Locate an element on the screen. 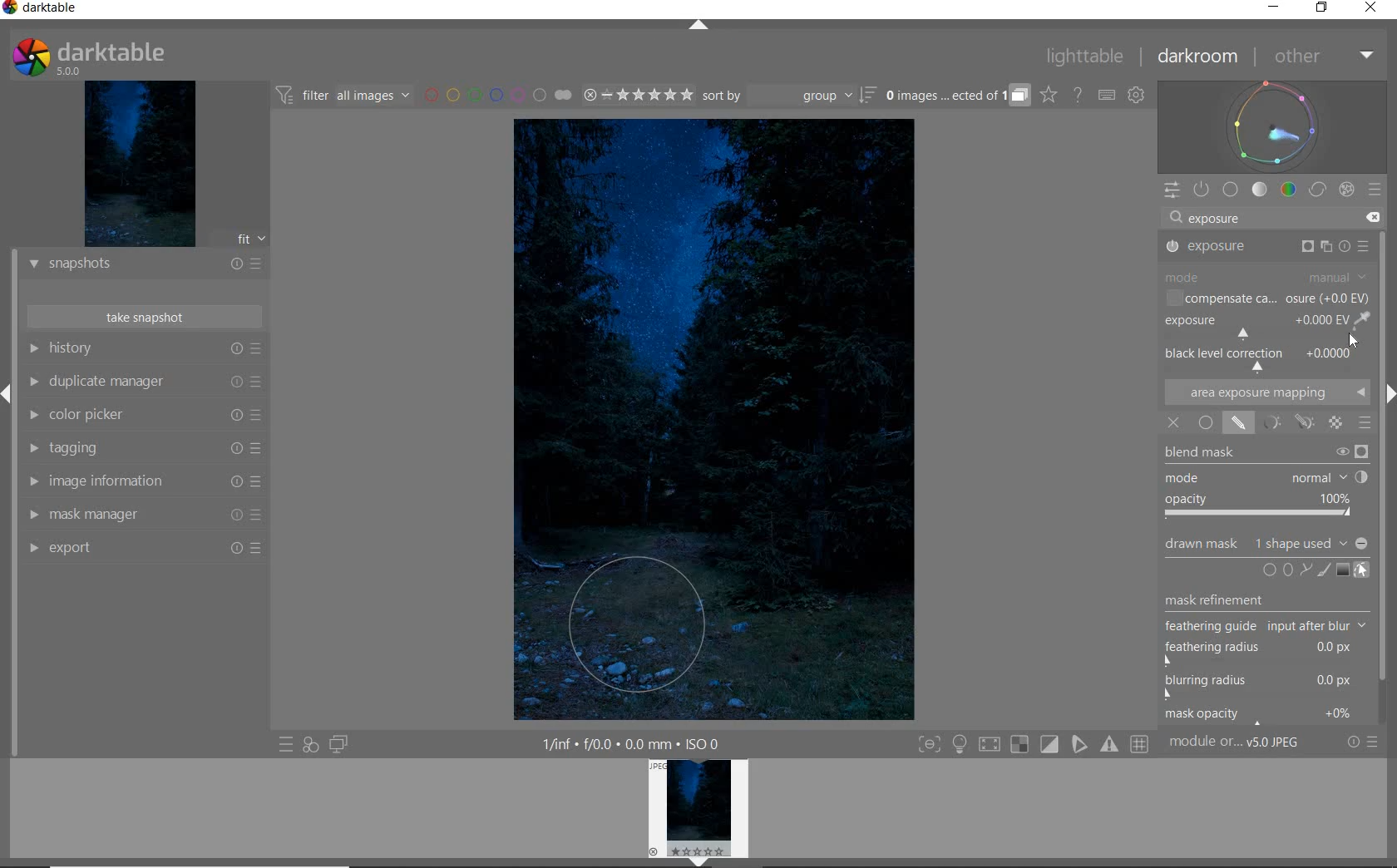 This screenshot has height=868, width=1397. SHOW & EDIT MASK ELEMENTS is located at coordinates (1363, 571).